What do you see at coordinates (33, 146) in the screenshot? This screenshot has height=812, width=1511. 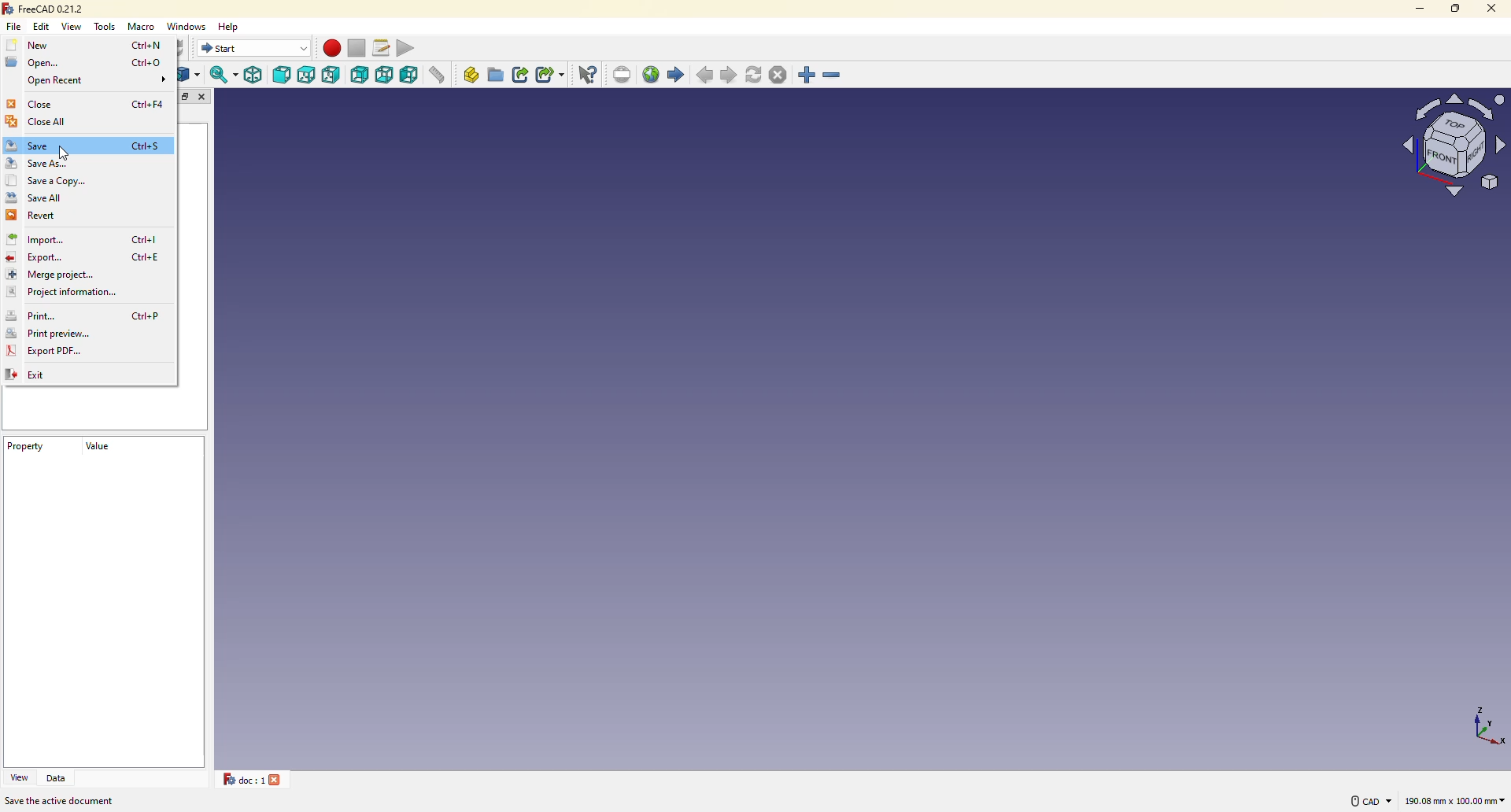 I see `save` at bounding box center [33, 146].